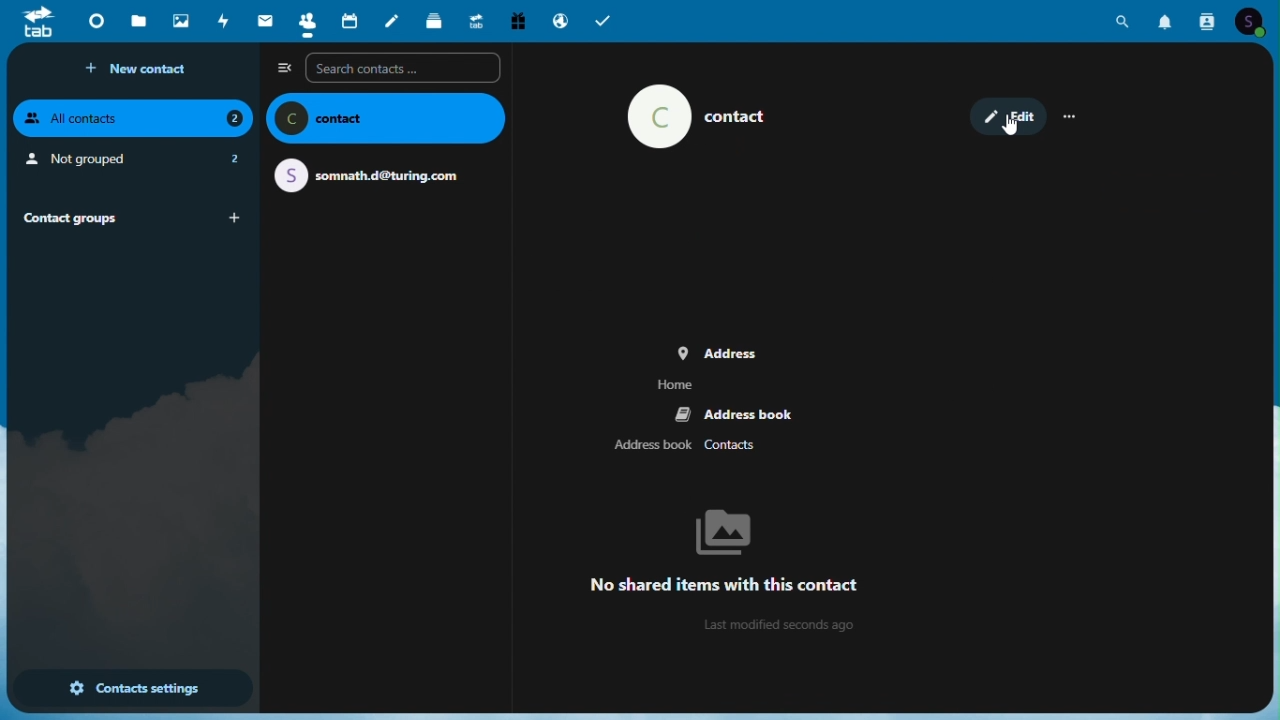 Image resolution: width=1280 pixels, height=720 pixels. What do you see at coordinates (1210, 22) in the screenshot?
I see `Contacts` at bounding box center [1210, 22].